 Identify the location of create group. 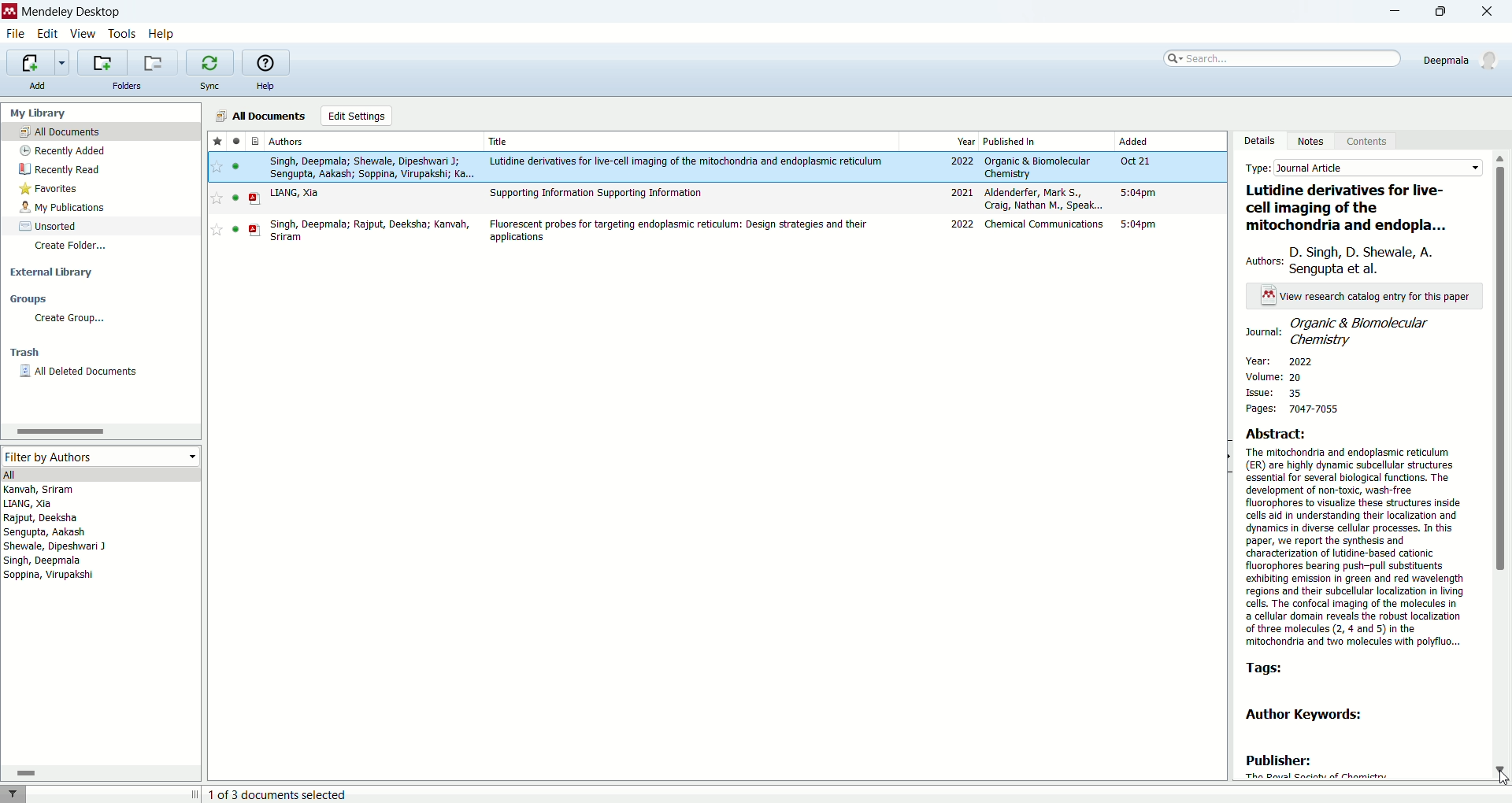
(71, 318).